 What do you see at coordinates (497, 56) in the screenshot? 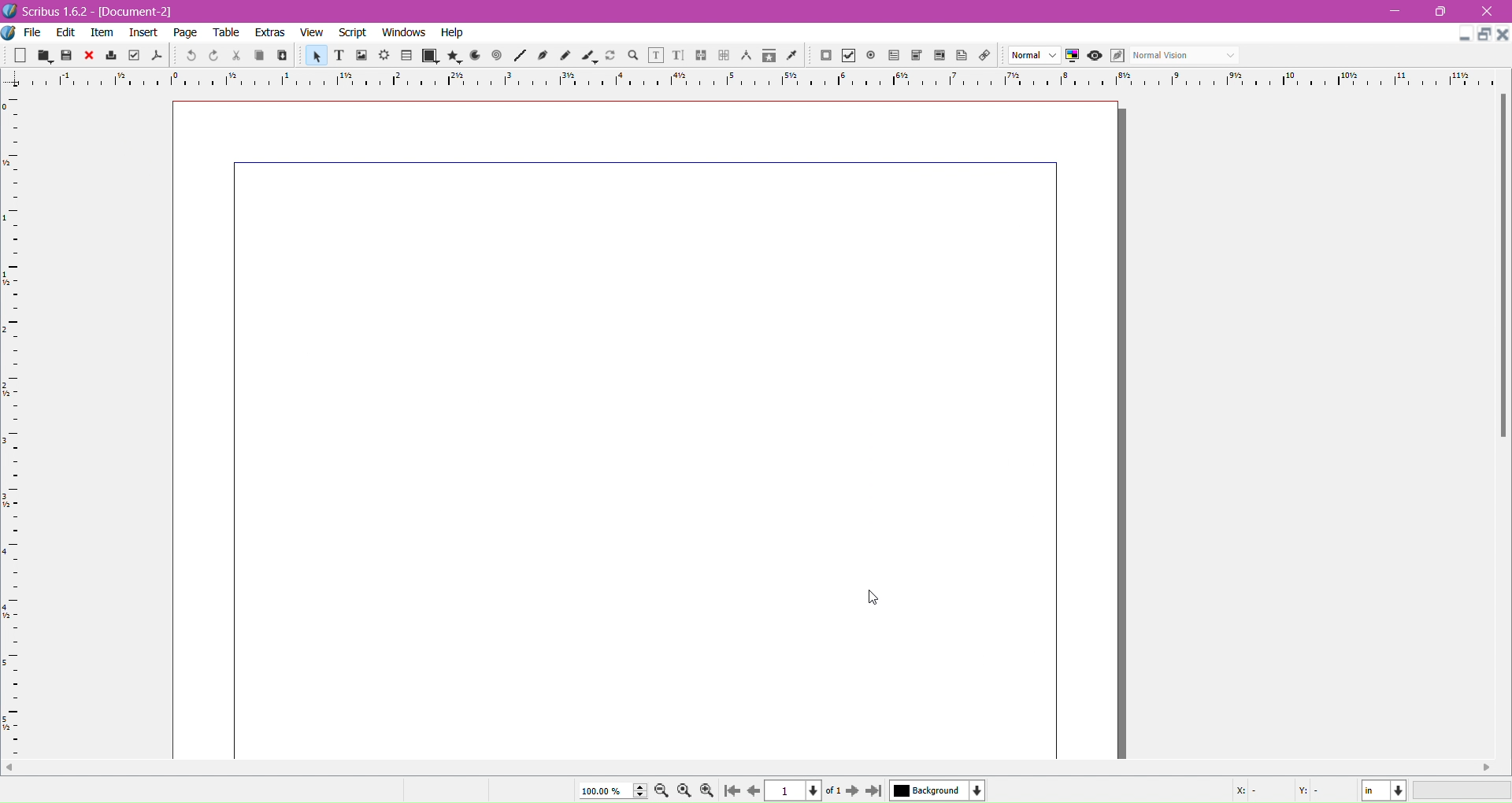
I see `icon` at bounding box center [497, 56].